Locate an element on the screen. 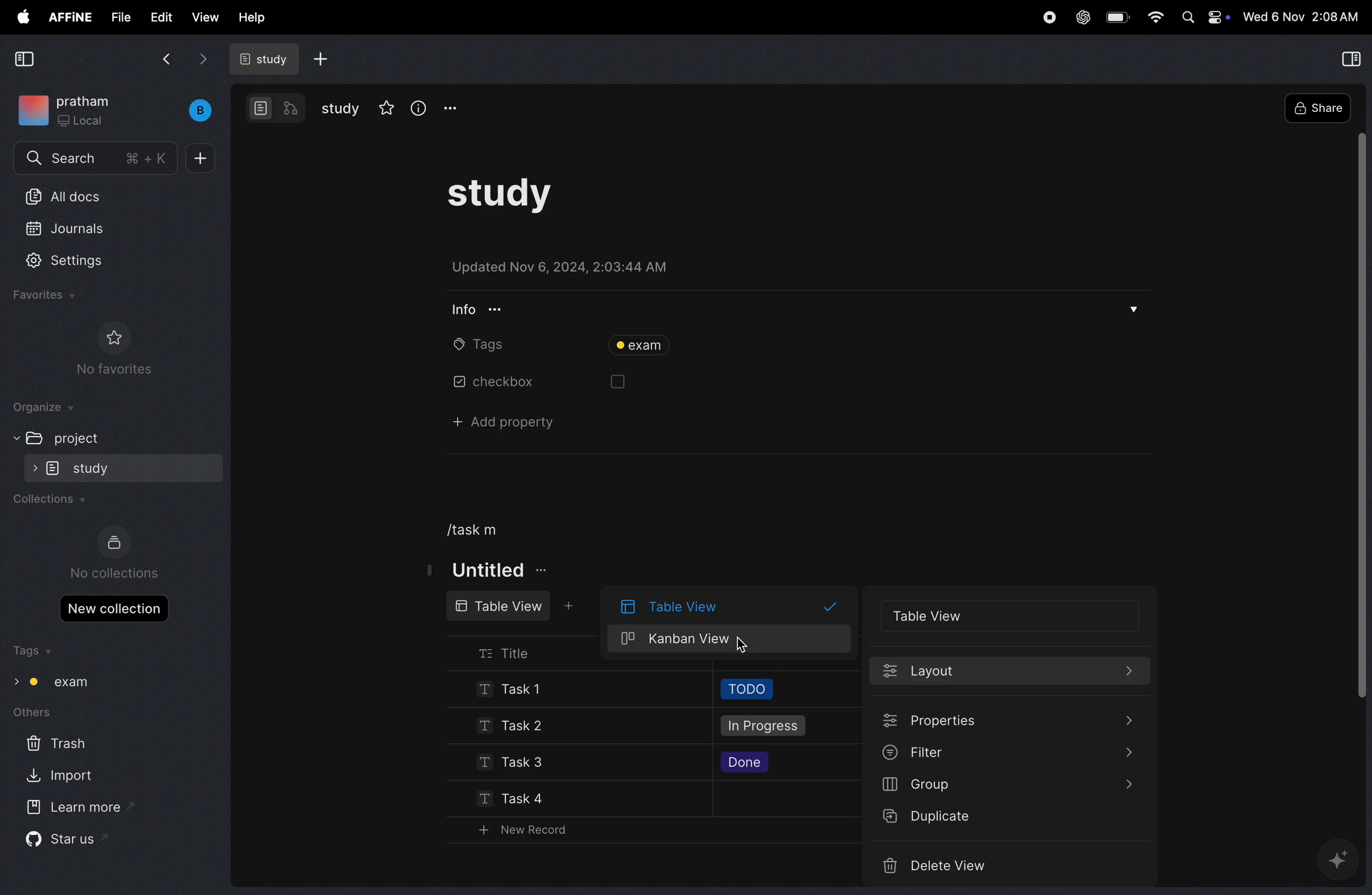  search is located at coordinates (96, 159).